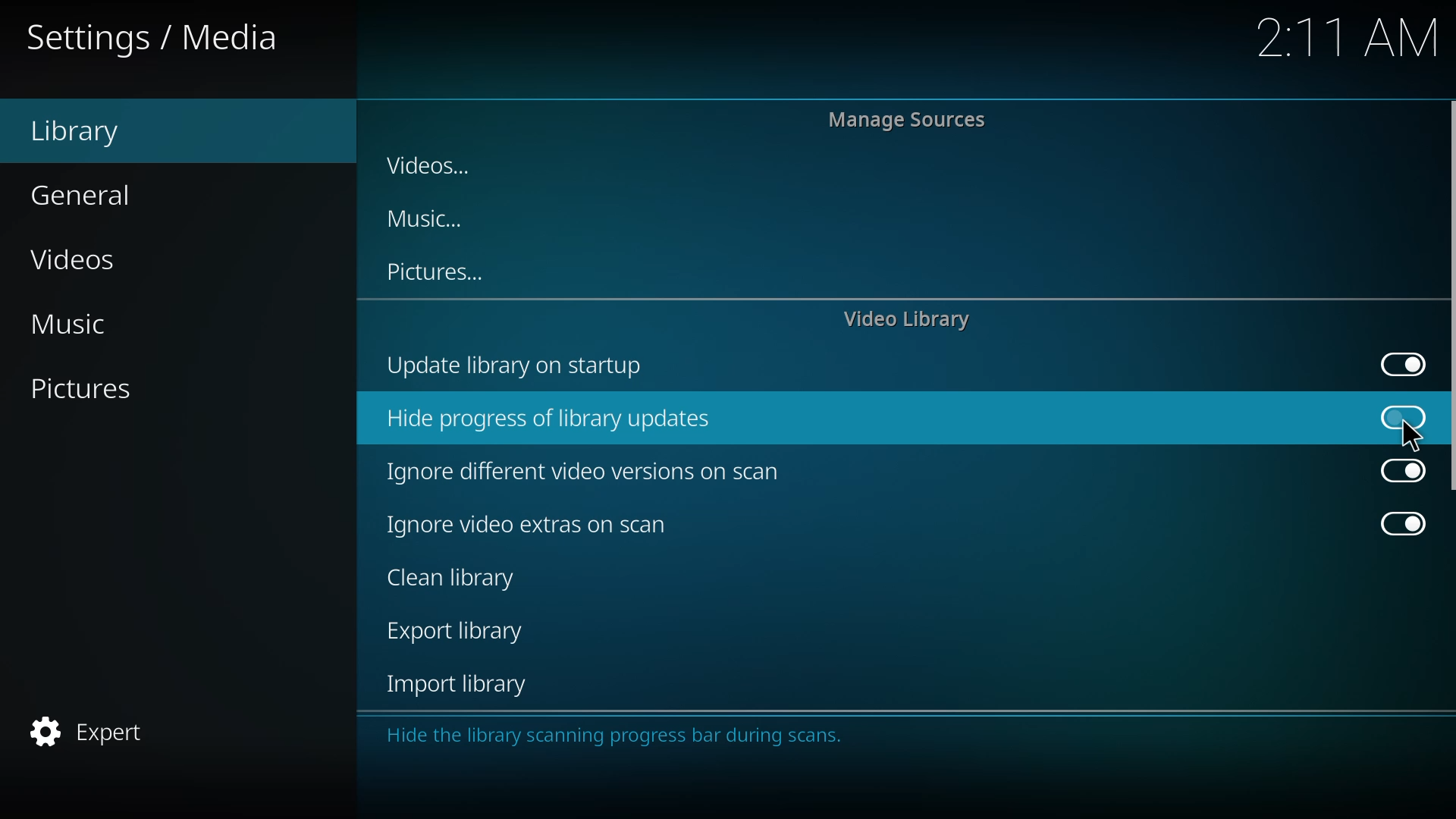 The width and height of the screenshot is (1456, 819). I want to click on import library, so click(460, 687).